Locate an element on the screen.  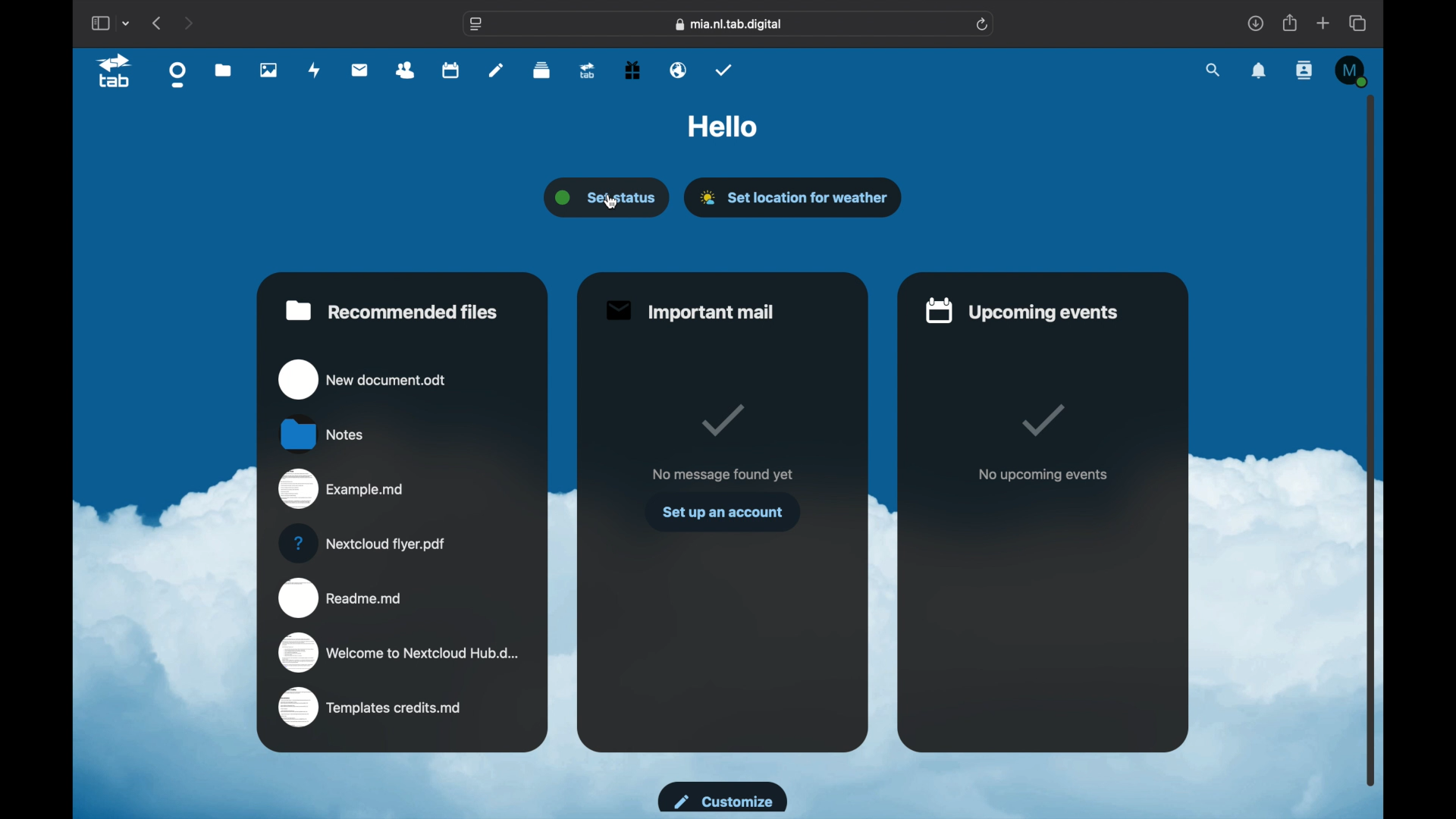
no message found yet is located at coordinates (722, 473).